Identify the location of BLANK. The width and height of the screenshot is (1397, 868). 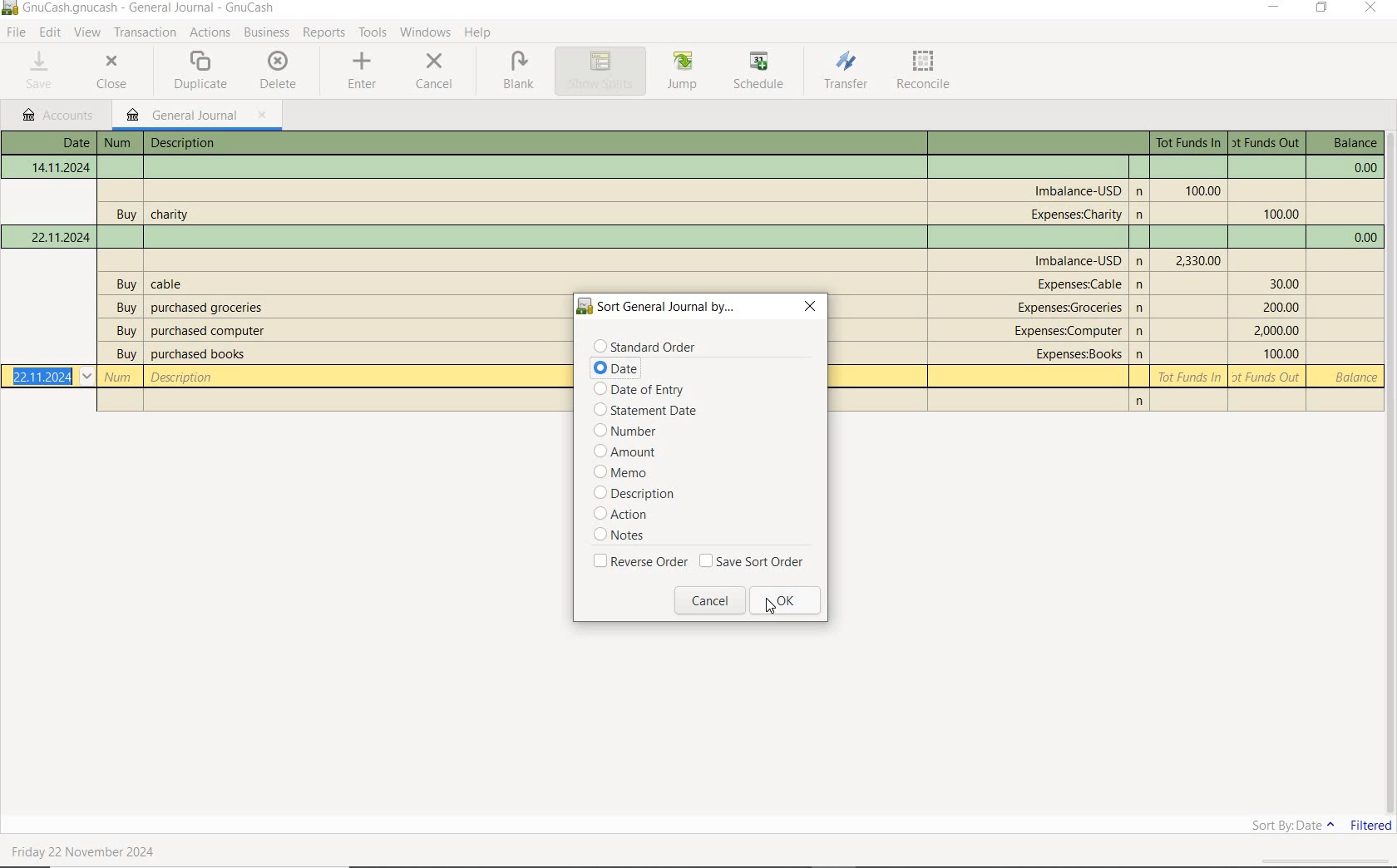
(519, 72).